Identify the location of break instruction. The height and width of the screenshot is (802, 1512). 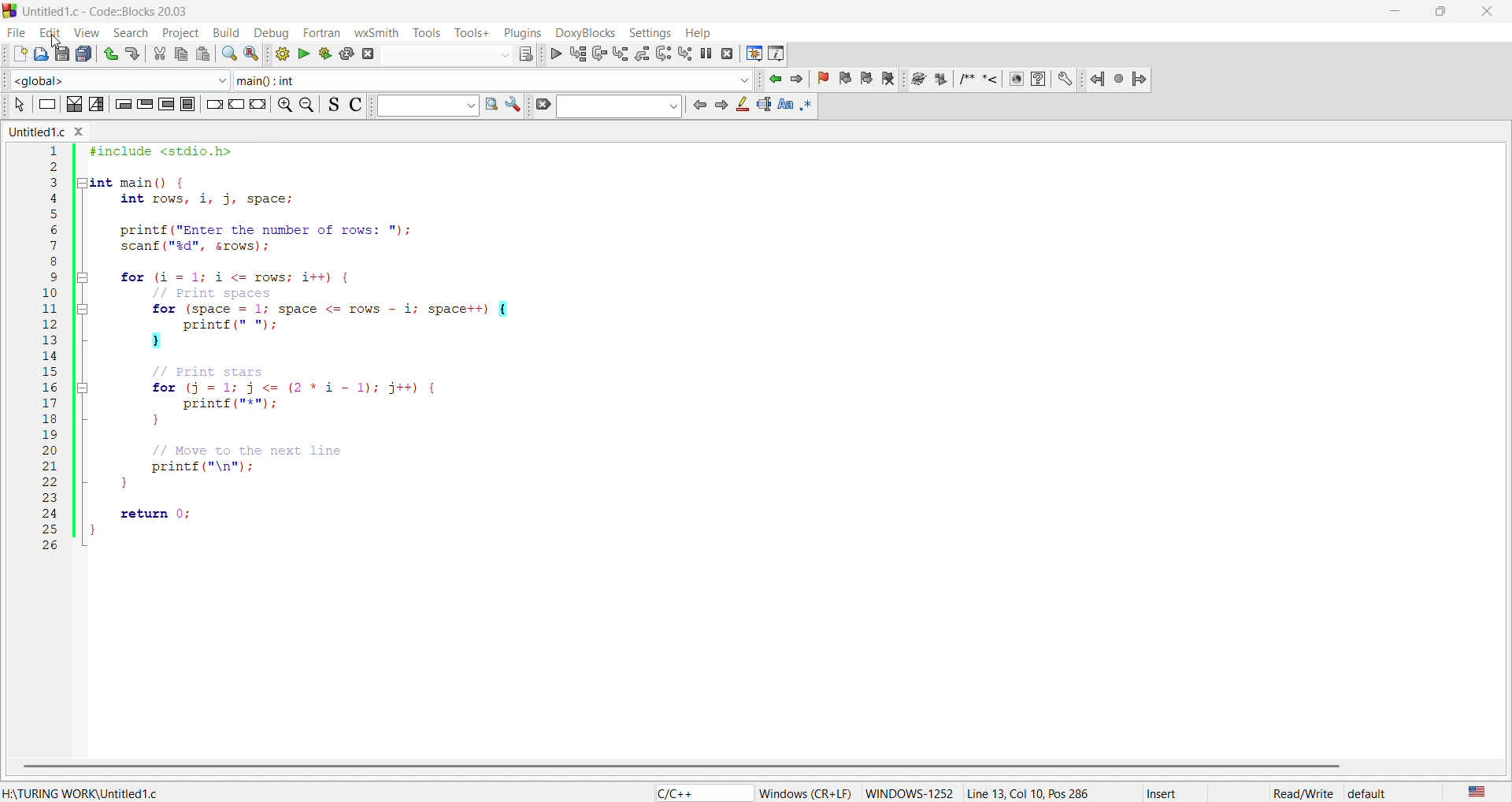
(213, 104).